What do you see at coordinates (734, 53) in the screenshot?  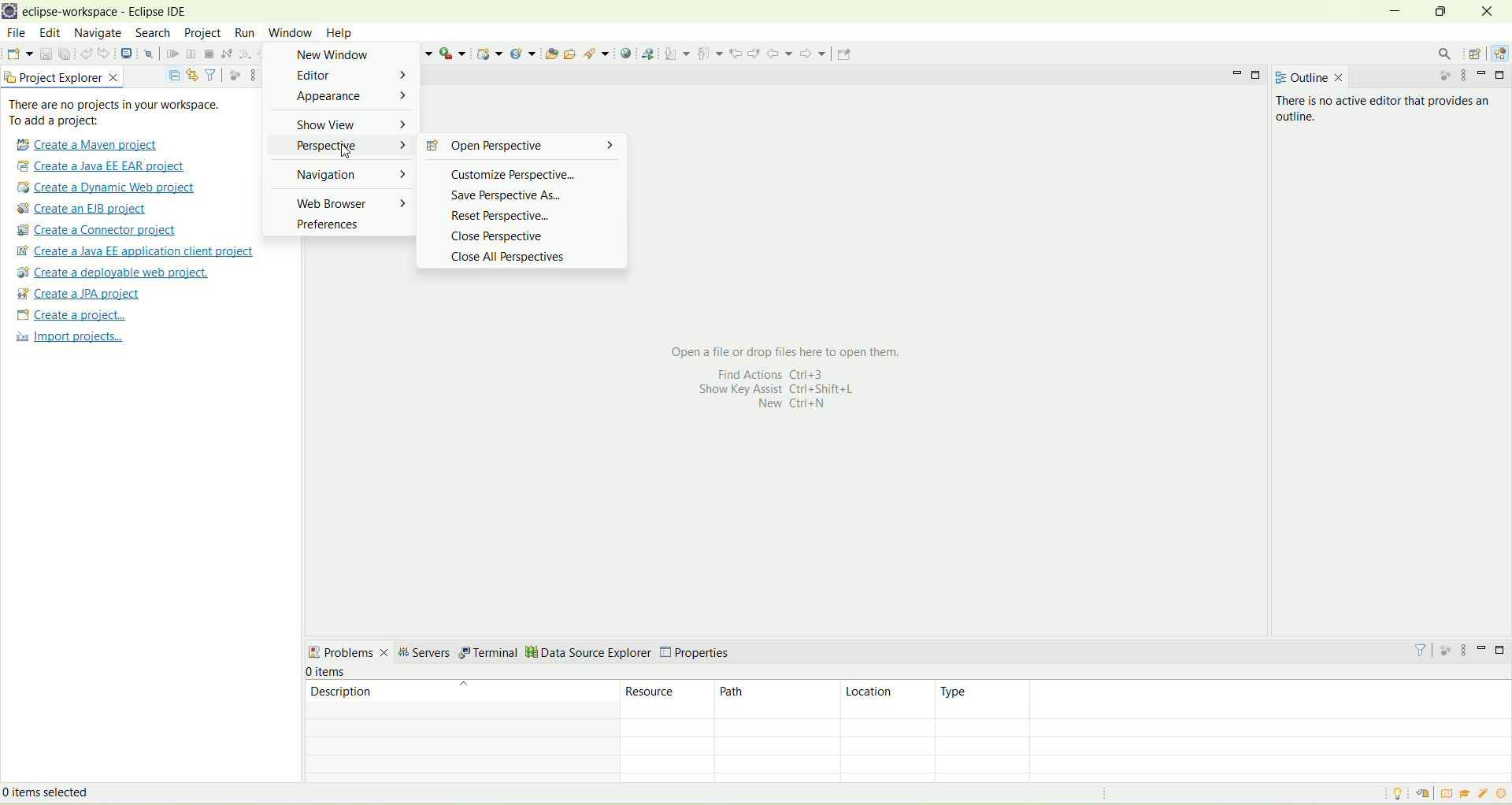 I see `previous edit location` at bounding box center [734, 53].